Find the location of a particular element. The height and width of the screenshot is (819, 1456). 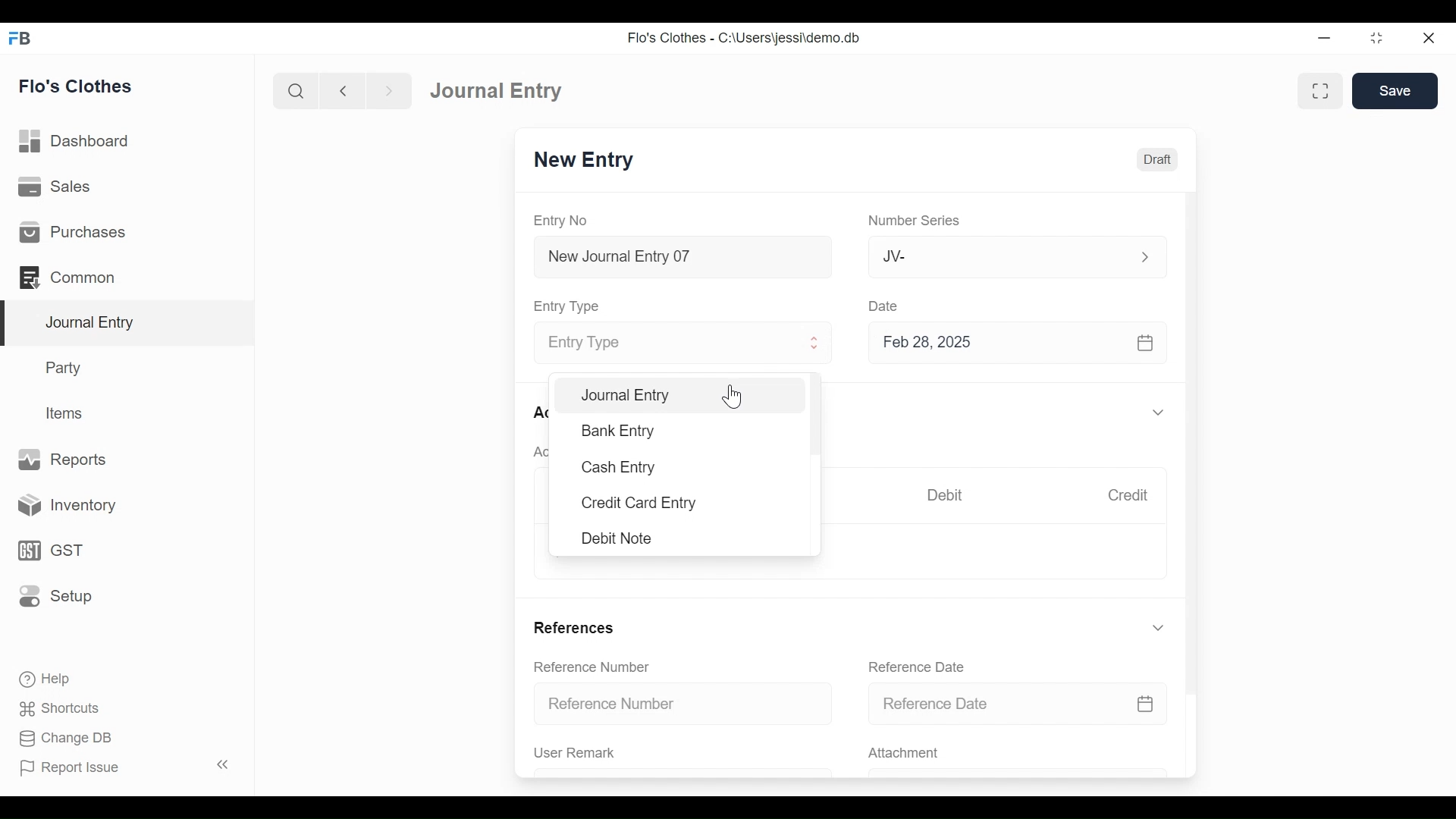

Attachment is located at coordinates (903, 754).